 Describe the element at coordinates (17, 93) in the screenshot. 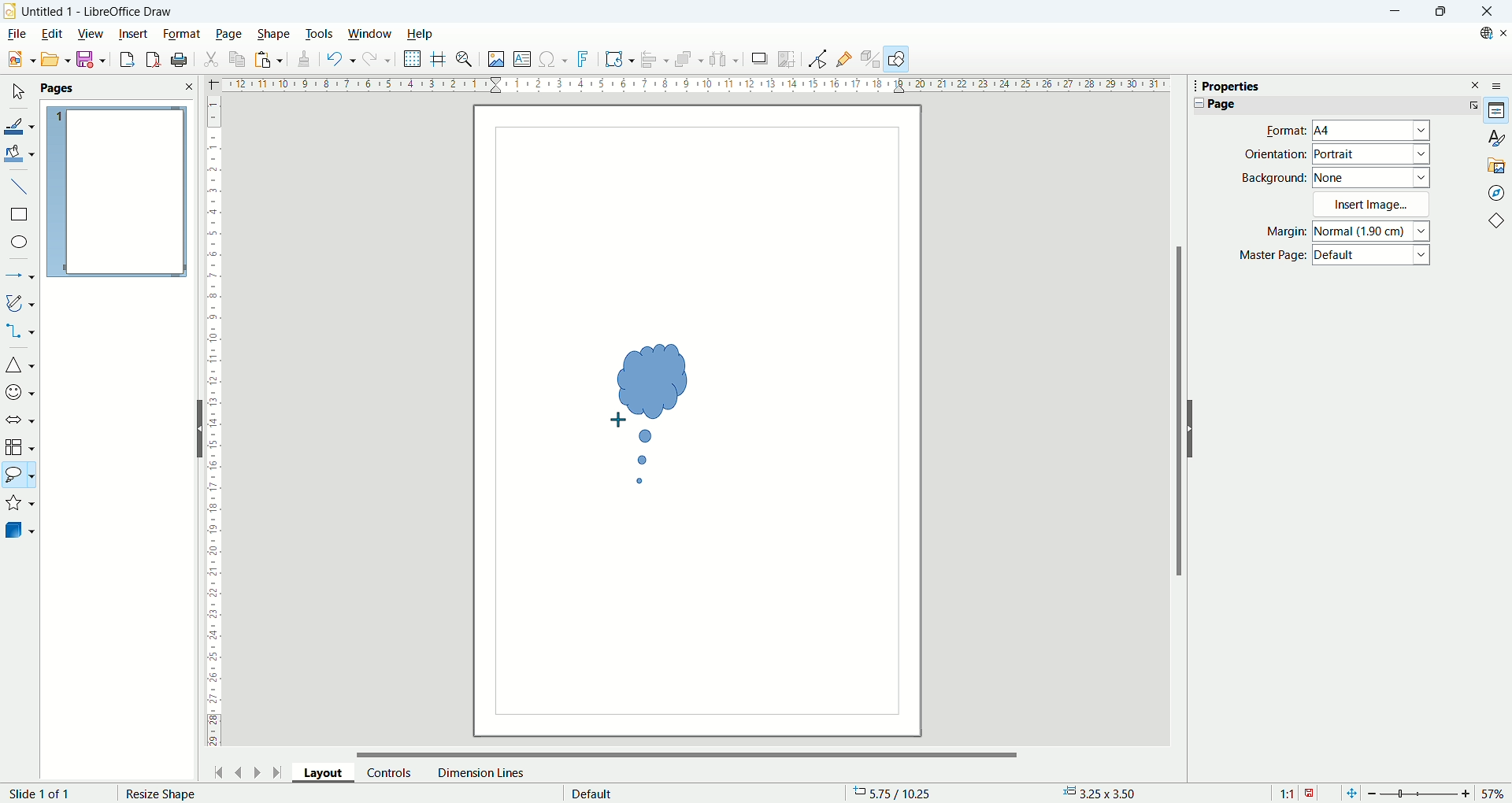

I see `select` at that location.